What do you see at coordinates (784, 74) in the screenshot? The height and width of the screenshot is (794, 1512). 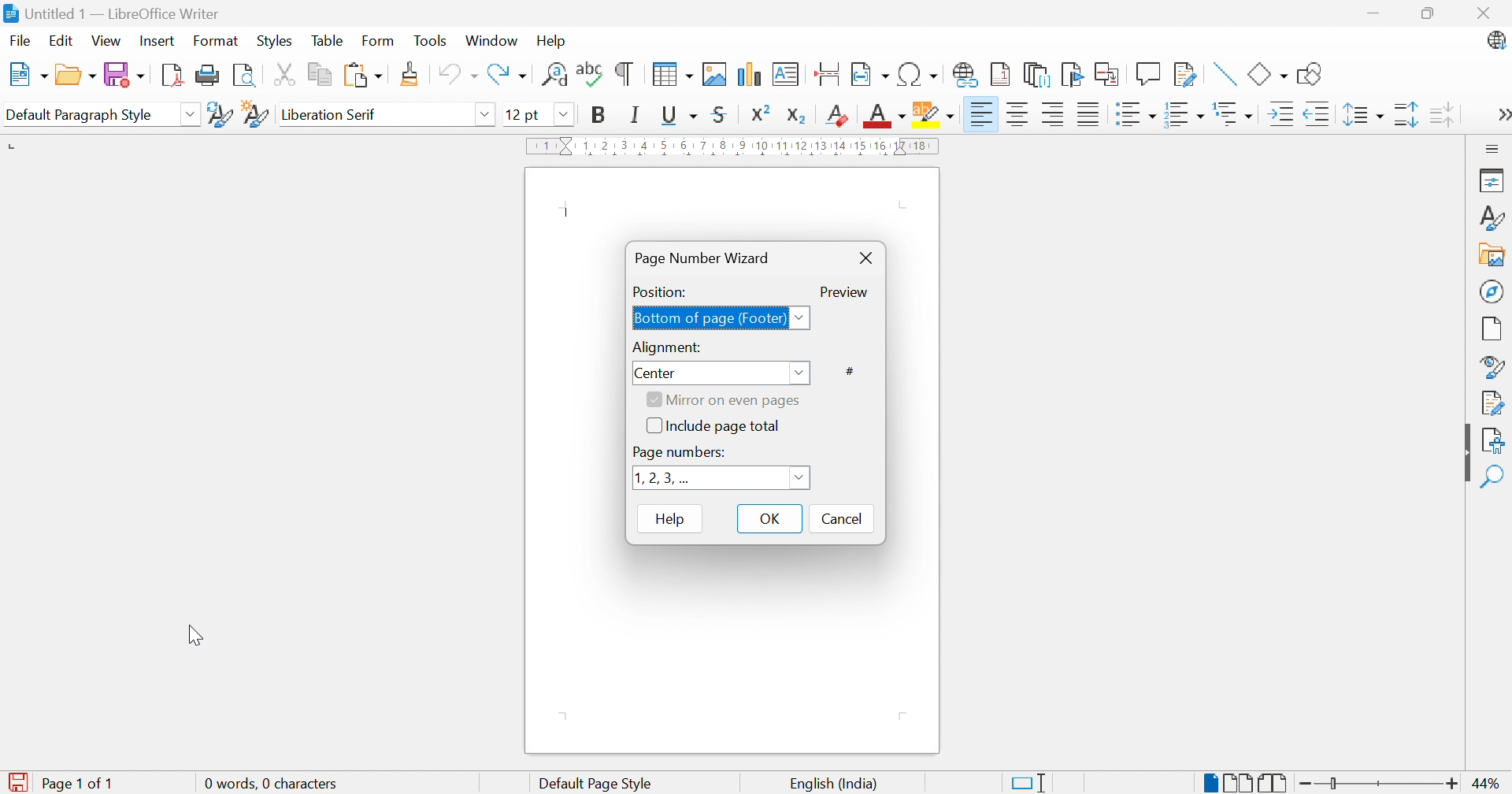 I see `Insert textbox` at bounding box center [784, 74].